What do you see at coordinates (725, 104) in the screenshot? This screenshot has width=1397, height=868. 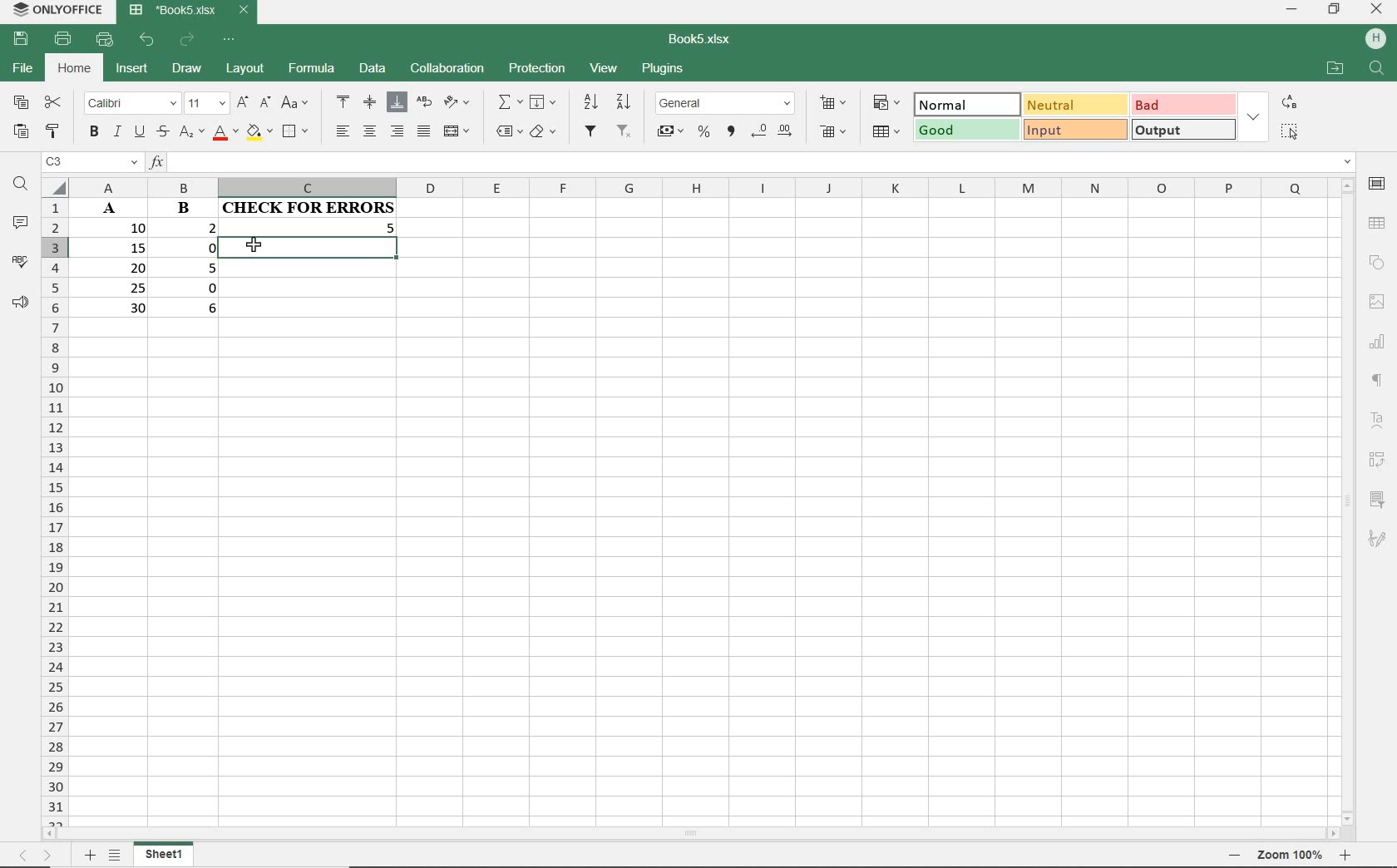 I see `NUMBER FORMAT` at bounding box center [725, 104].